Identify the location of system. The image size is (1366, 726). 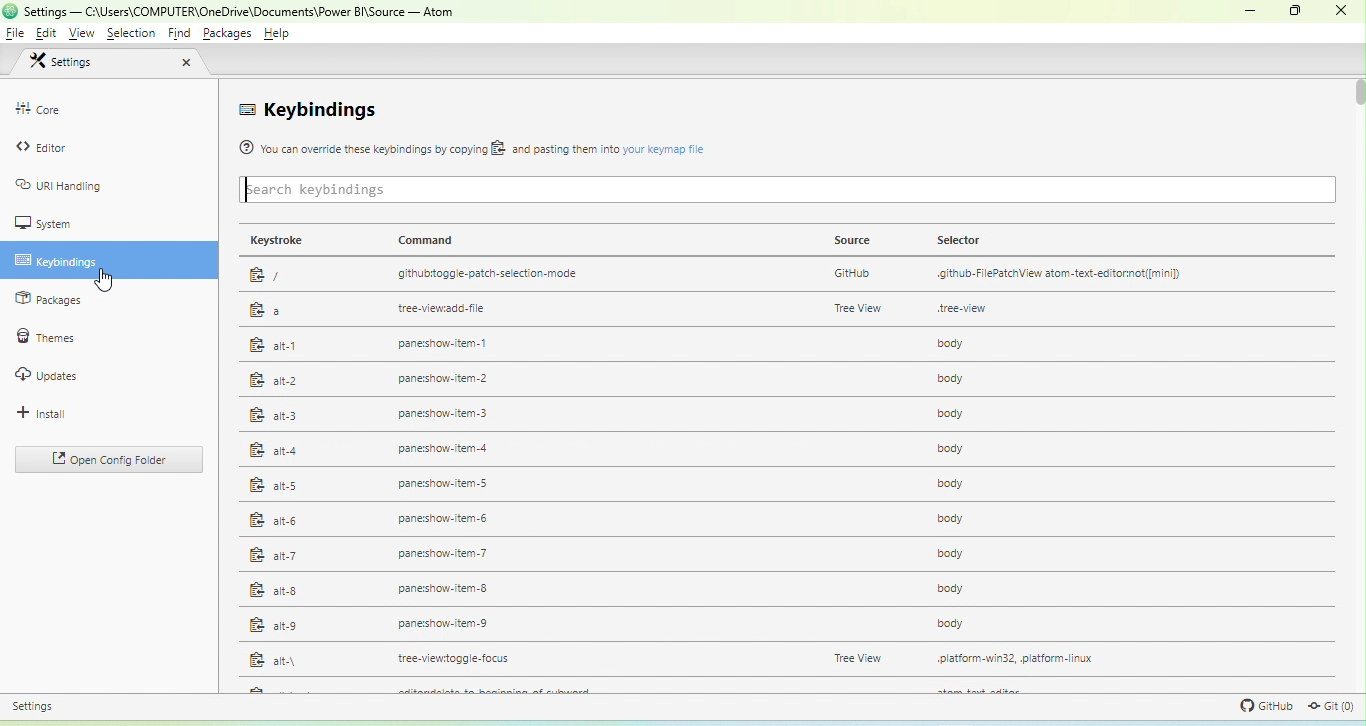
(44, 224).